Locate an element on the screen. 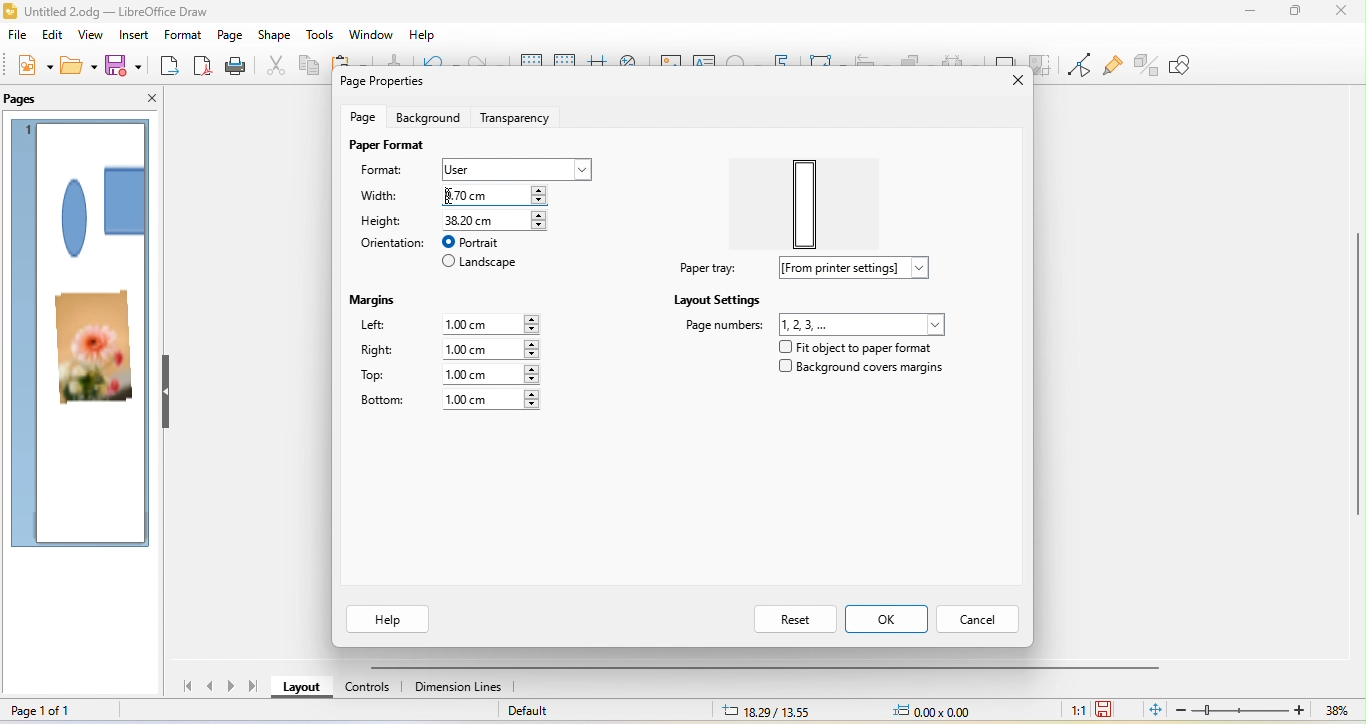 The width and height of the screenshot is (1366, 724). page format is located at coordinates (390, 143).